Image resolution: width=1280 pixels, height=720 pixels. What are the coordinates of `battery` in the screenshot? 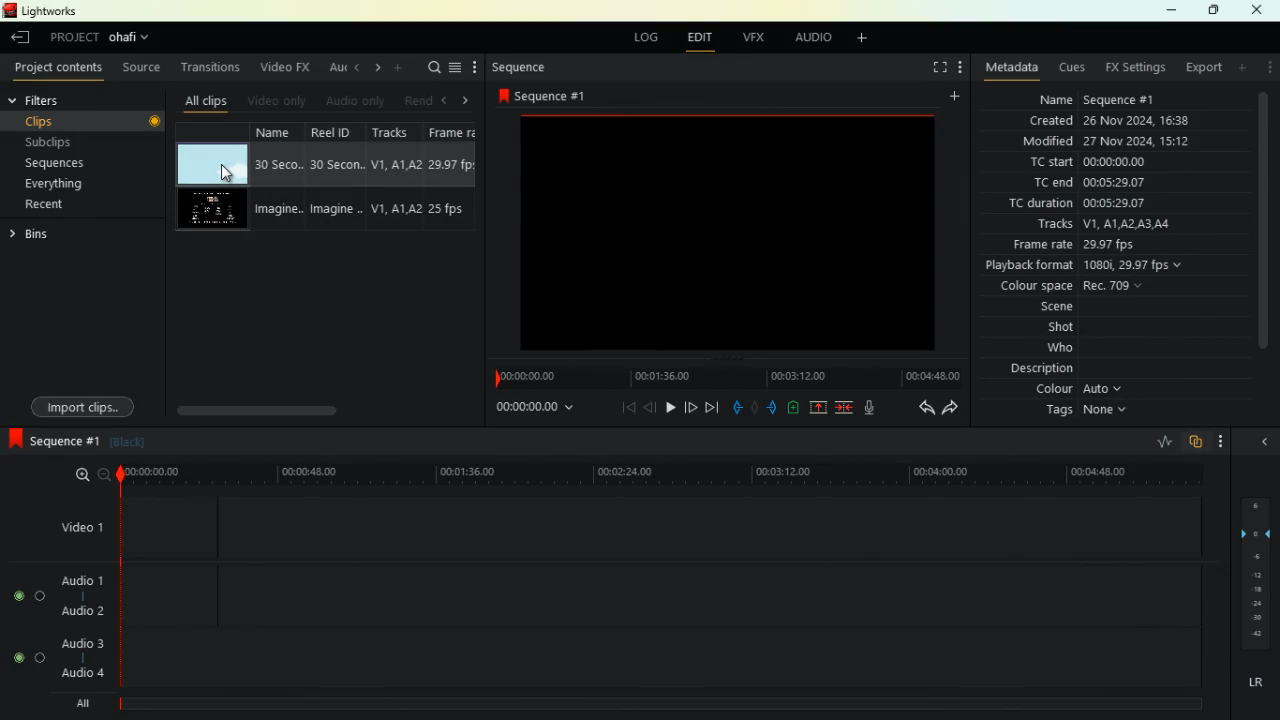 It's located at (792, 410).